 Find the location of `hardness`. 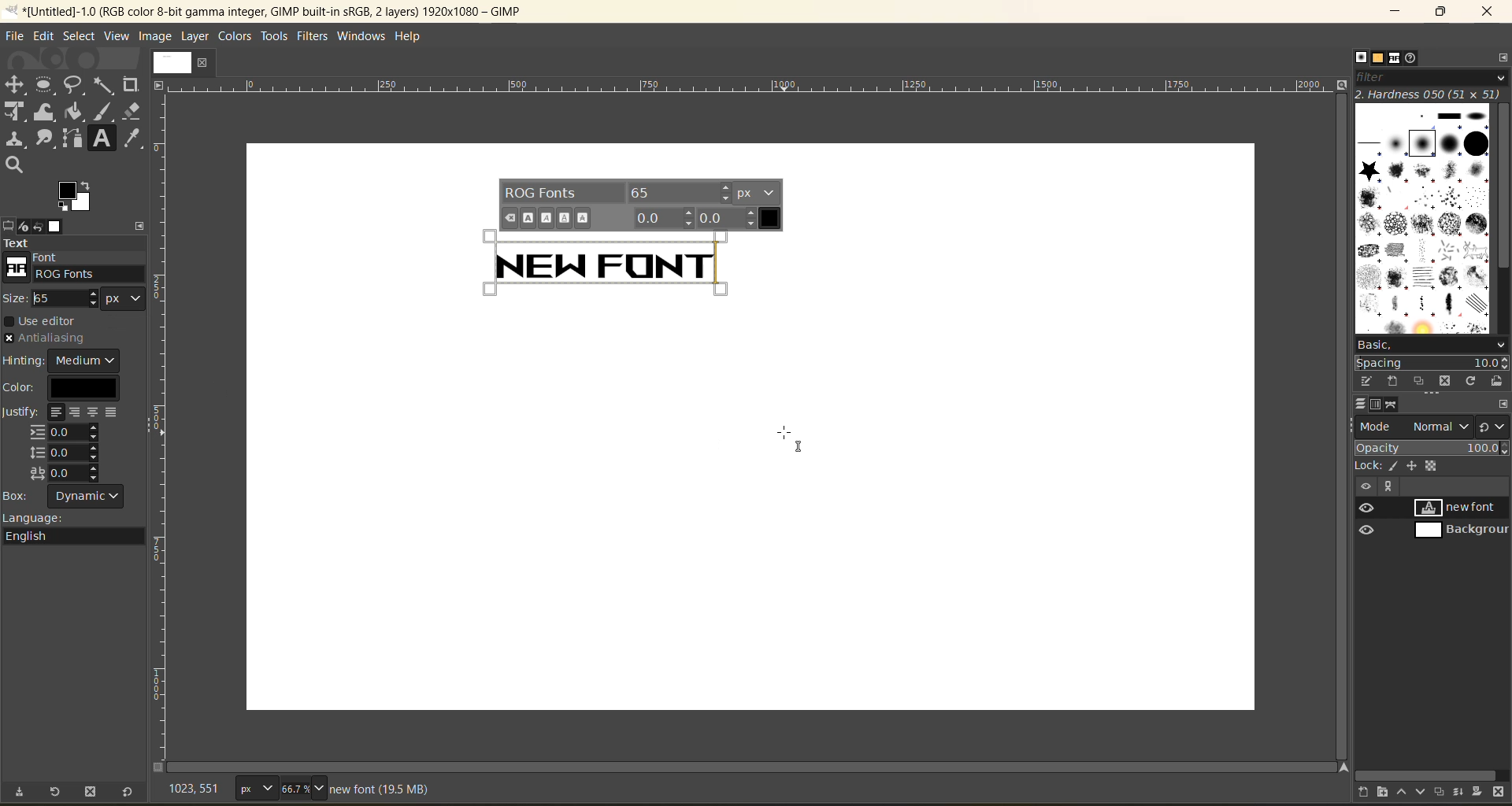

hardness is located at coordinates (1430, 94).